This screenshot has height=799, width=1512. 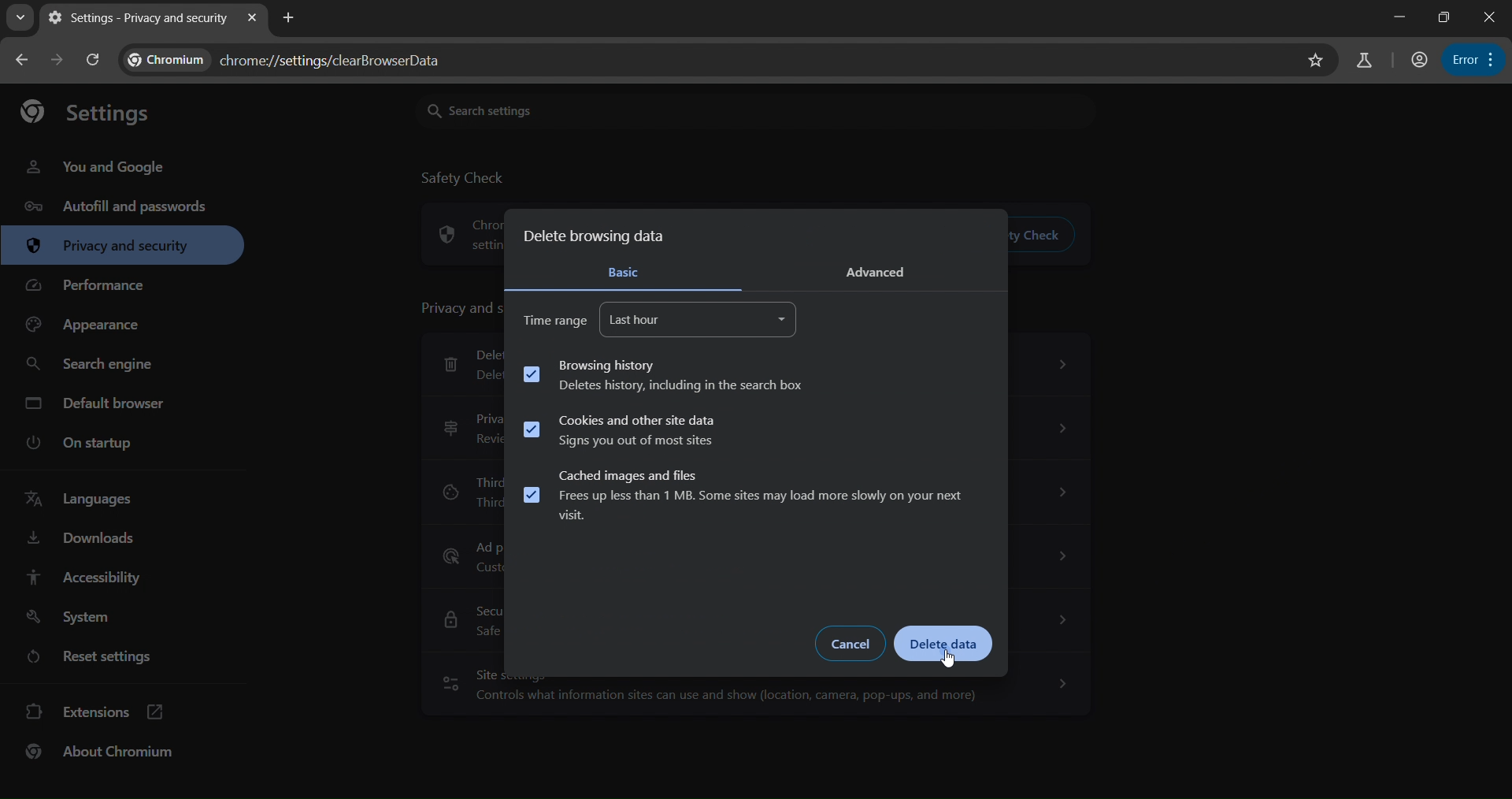 What do you see at coordinates (82, 496) in the screenshot?
I see `languages` at bounding box center [82, 496].